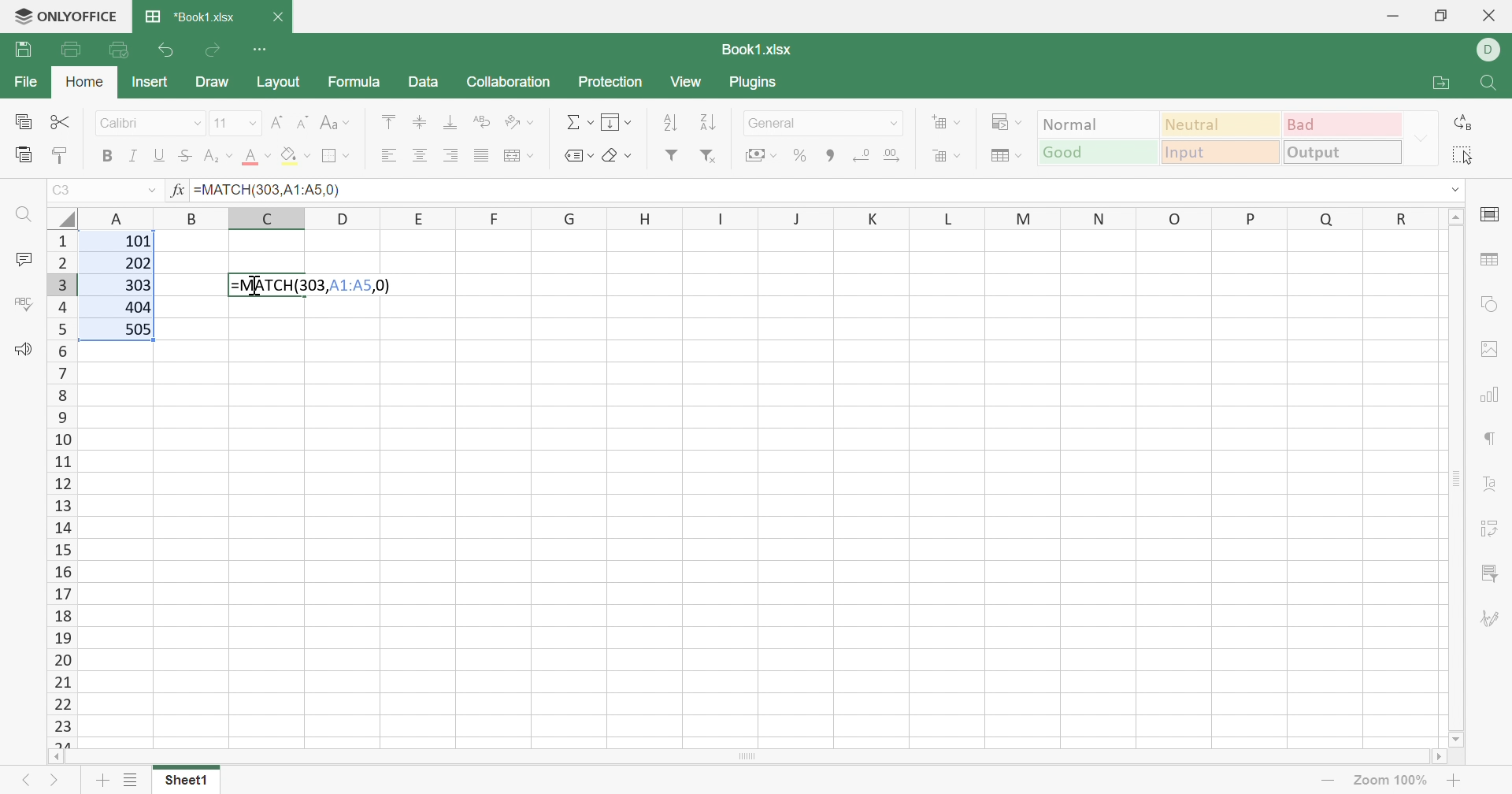 The width and height of the screenshot is (1512, 794). I want to click on Scroll Left, so click(62, 759).